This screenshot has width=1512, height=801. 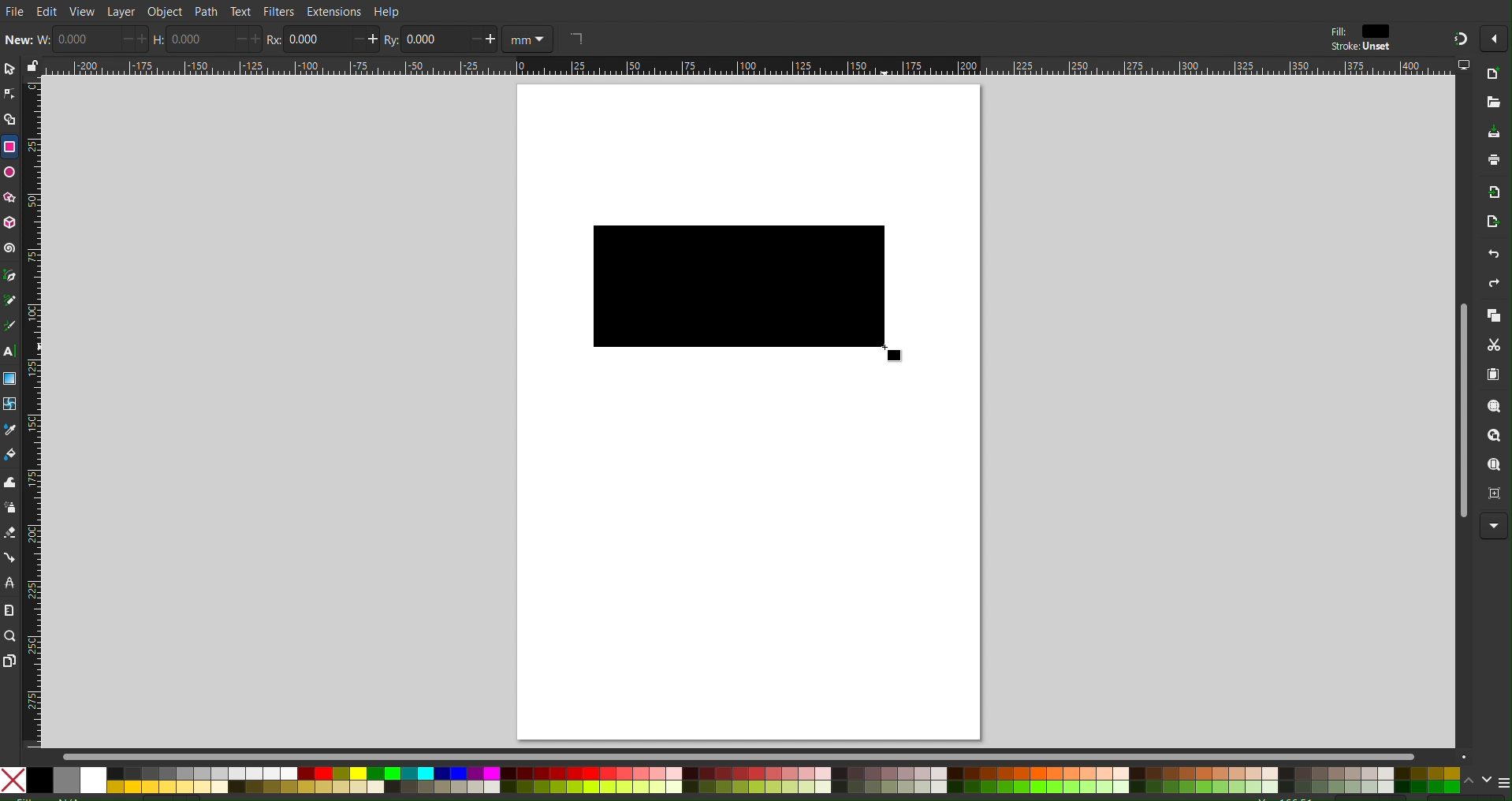 I want to click on Tweak Tool, so click(x=9, y=485).